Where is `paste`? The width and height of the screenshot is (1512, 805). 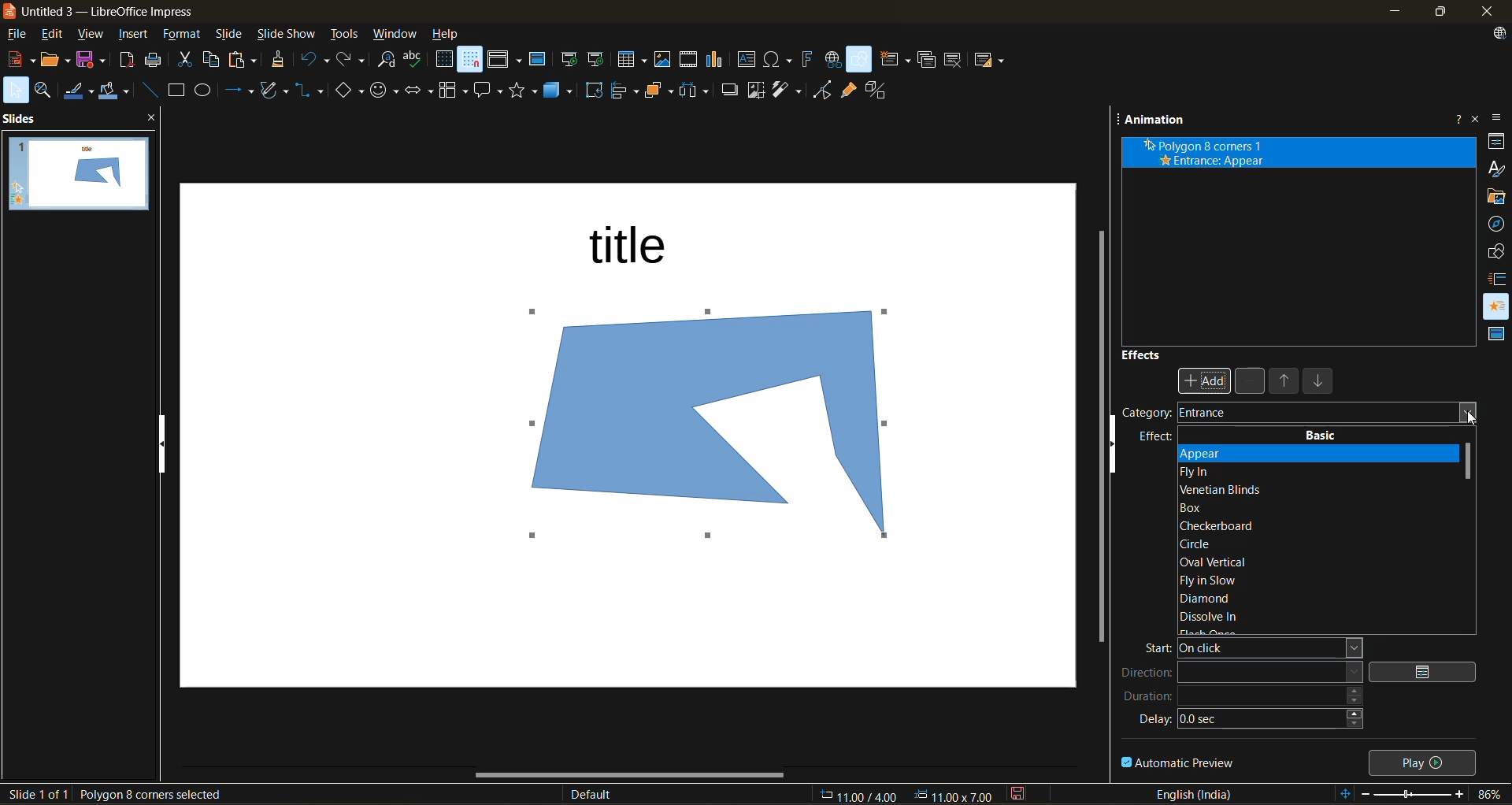 paste is located at coordinates (244, 59).